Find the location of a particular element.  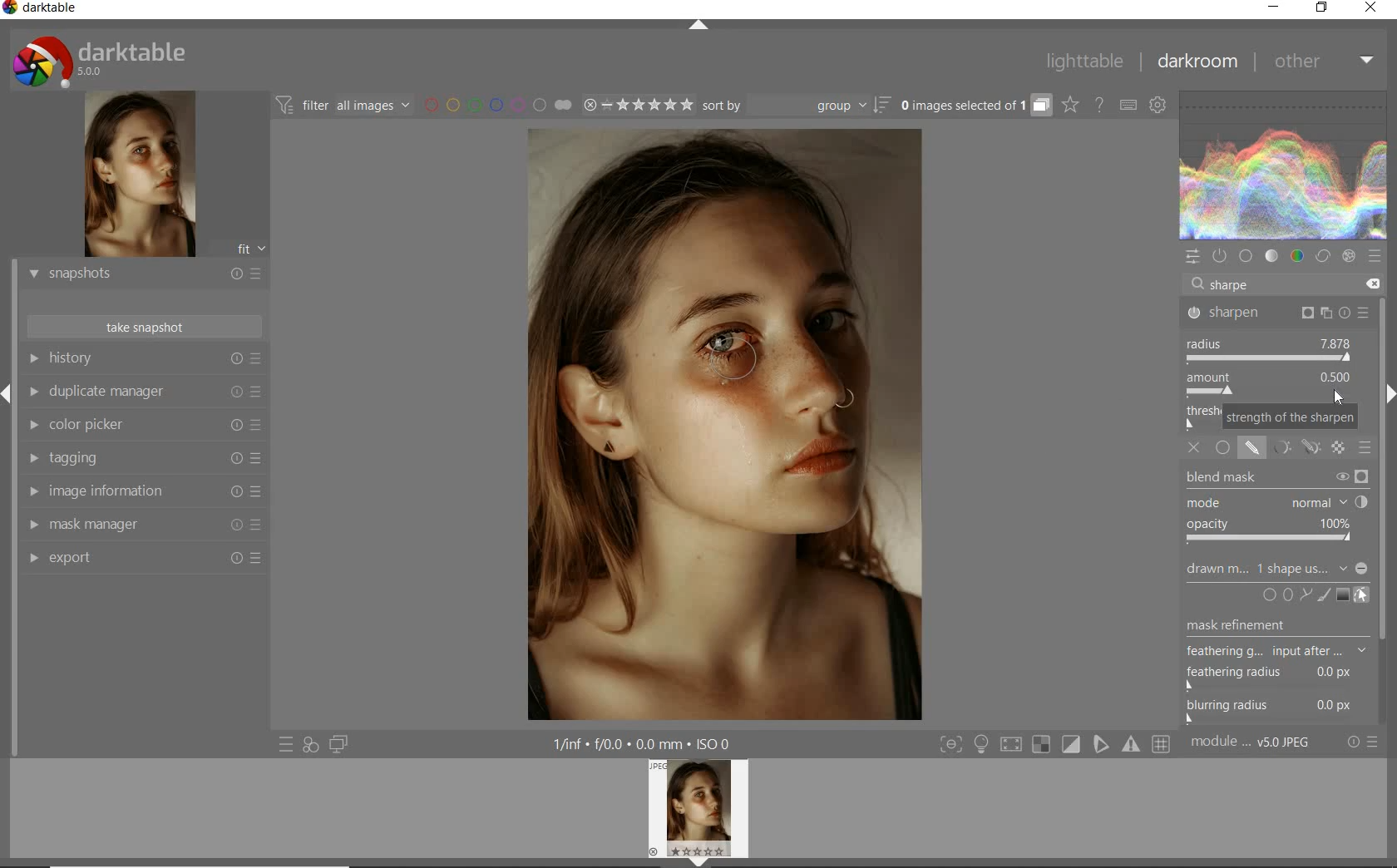

ADD GRADIENT is located at coordinates (1343, 595).